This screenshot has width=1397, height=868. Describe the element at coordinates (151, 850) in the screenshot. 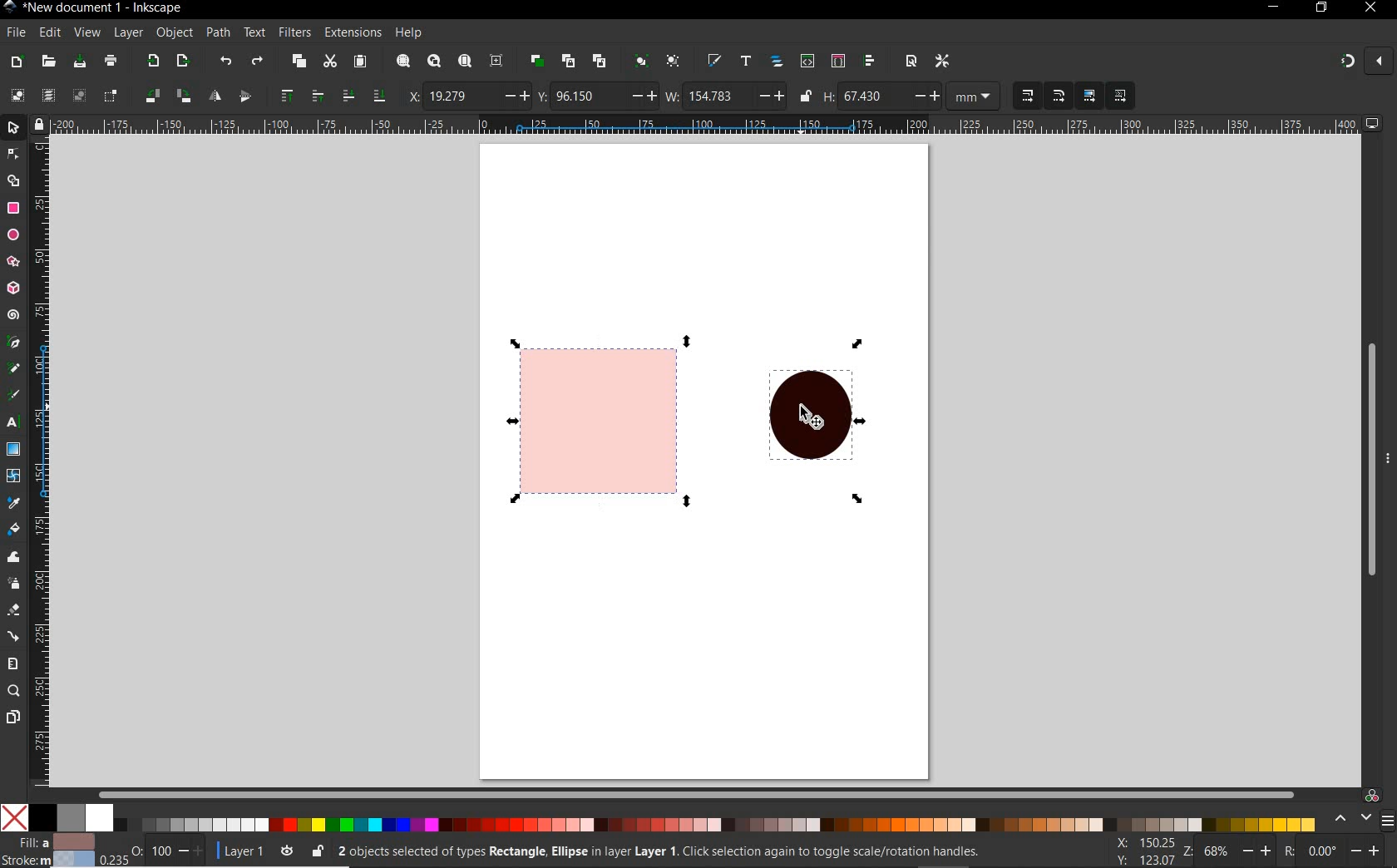

I see `OPACITY` at that location.